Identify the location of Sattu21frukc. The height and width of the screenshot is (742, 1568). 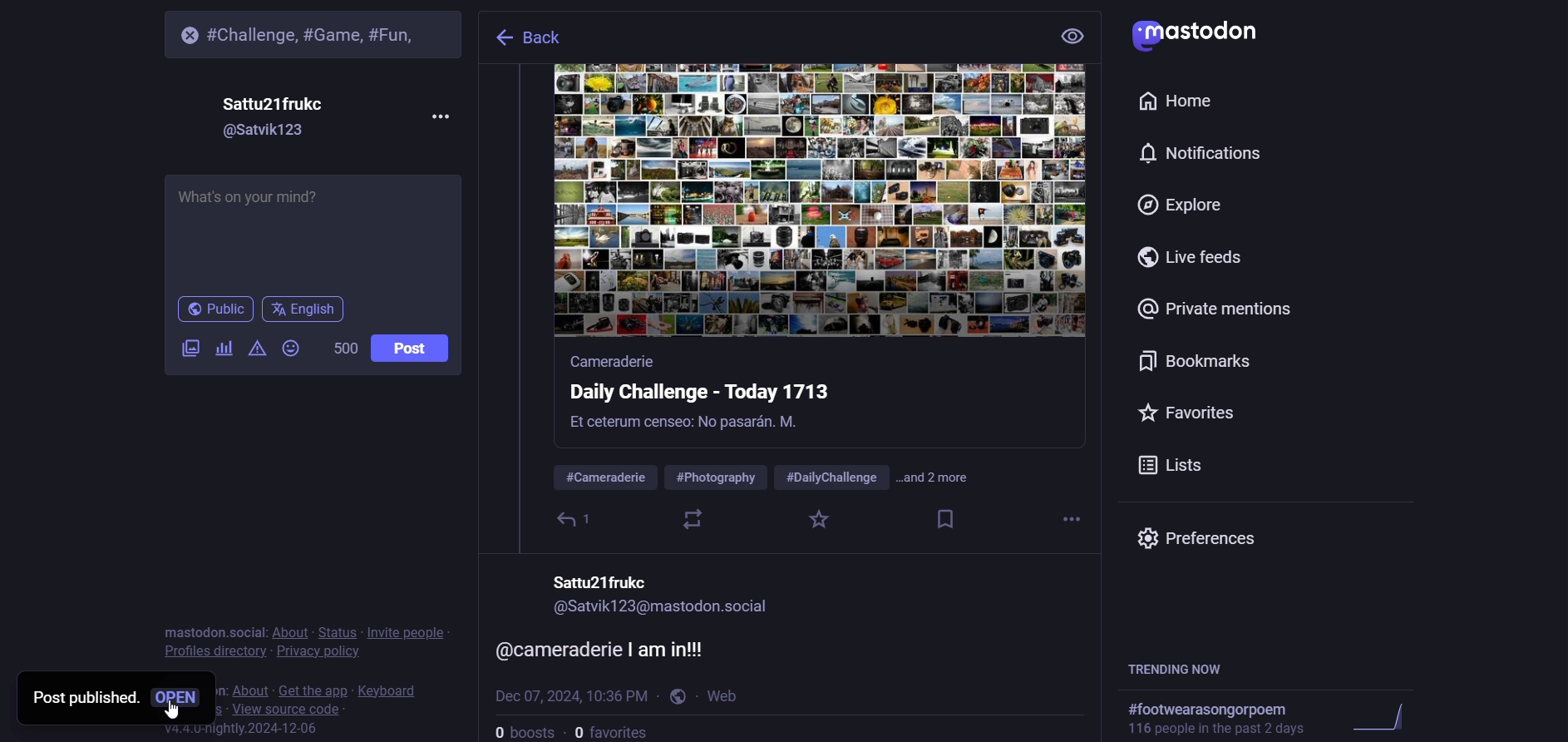
(609, 578).